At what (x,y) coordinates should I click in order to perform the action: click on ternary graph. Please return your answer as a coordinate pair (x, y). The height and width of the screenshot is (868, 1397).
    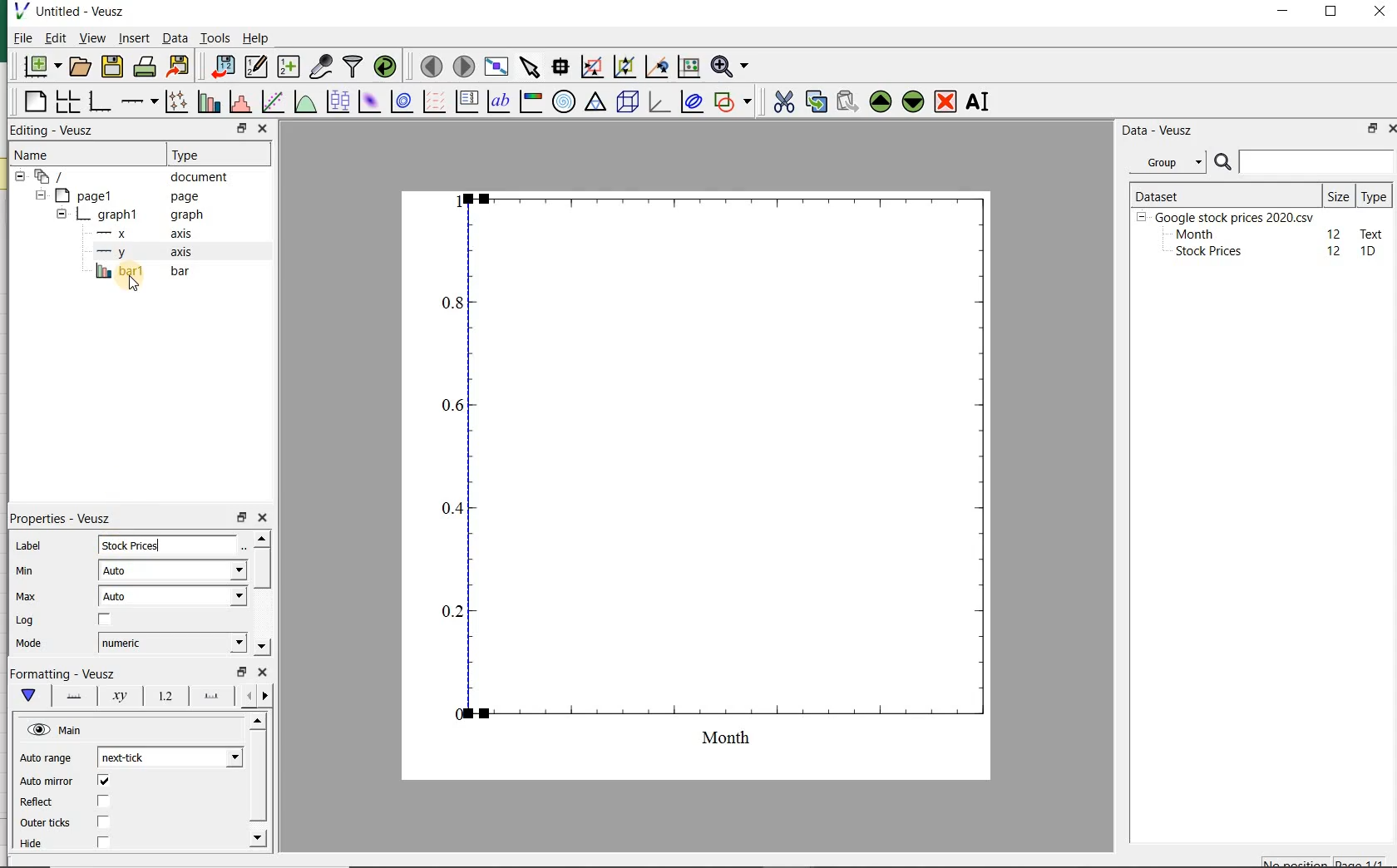
    Looking at the image, I should click on (595, 103).